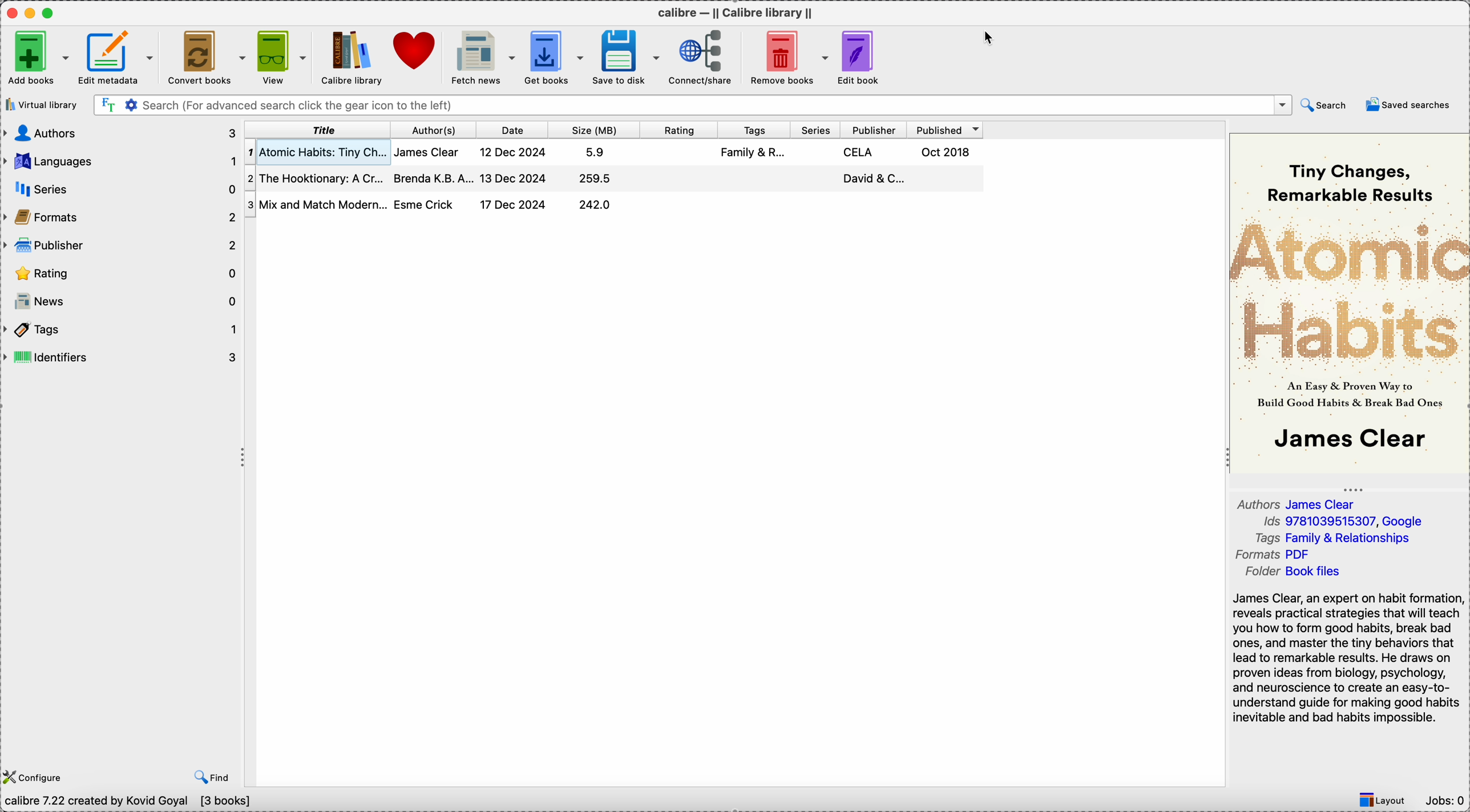 Image resolution: width=1470 pixels, height=812 pixels. Describe the element at coordinates (434, 128) in the screenshot. I see `author(s)` at that location.